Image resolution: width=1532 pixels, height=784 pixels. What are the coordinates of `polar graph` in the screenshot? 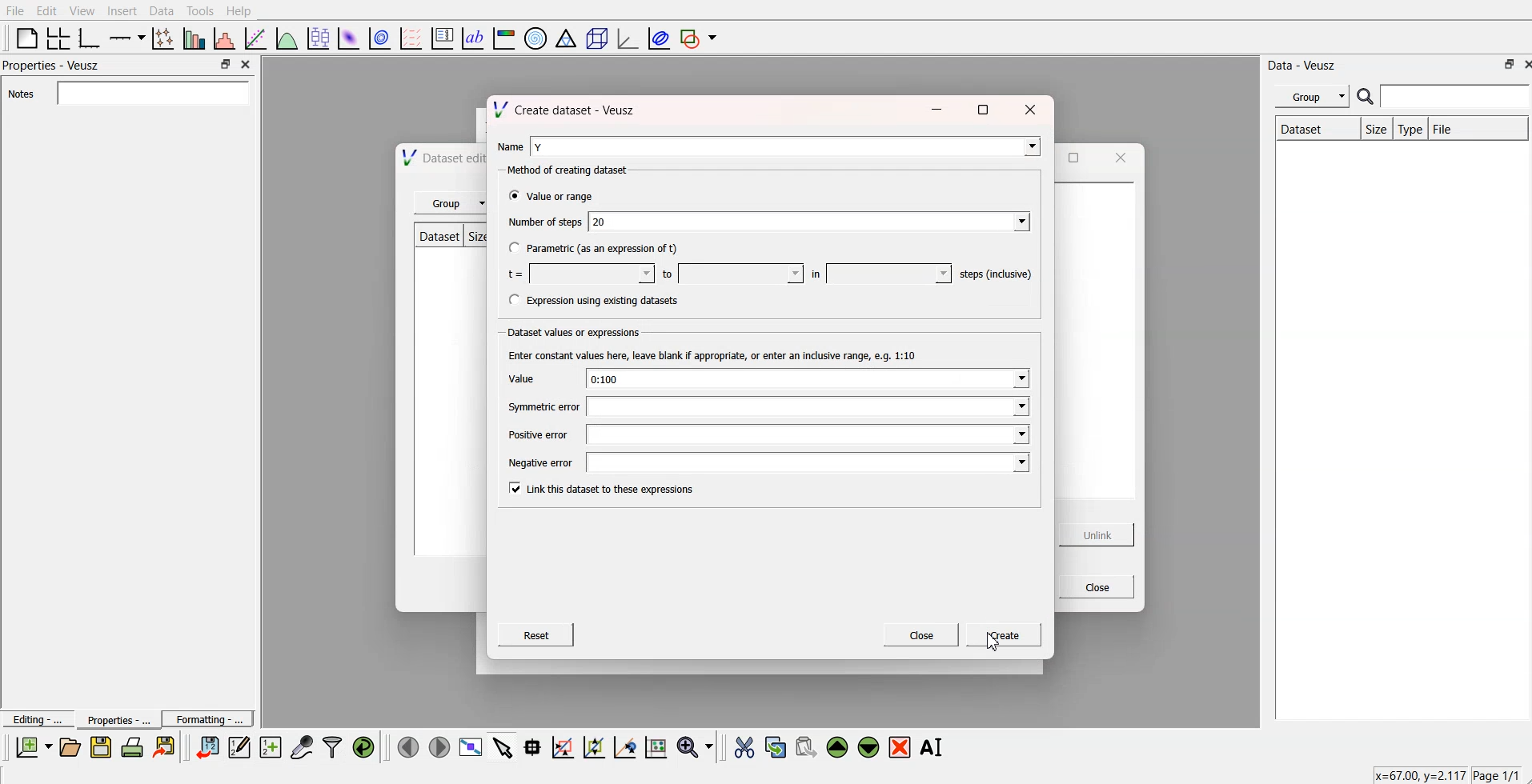 It's located at (537, 37).